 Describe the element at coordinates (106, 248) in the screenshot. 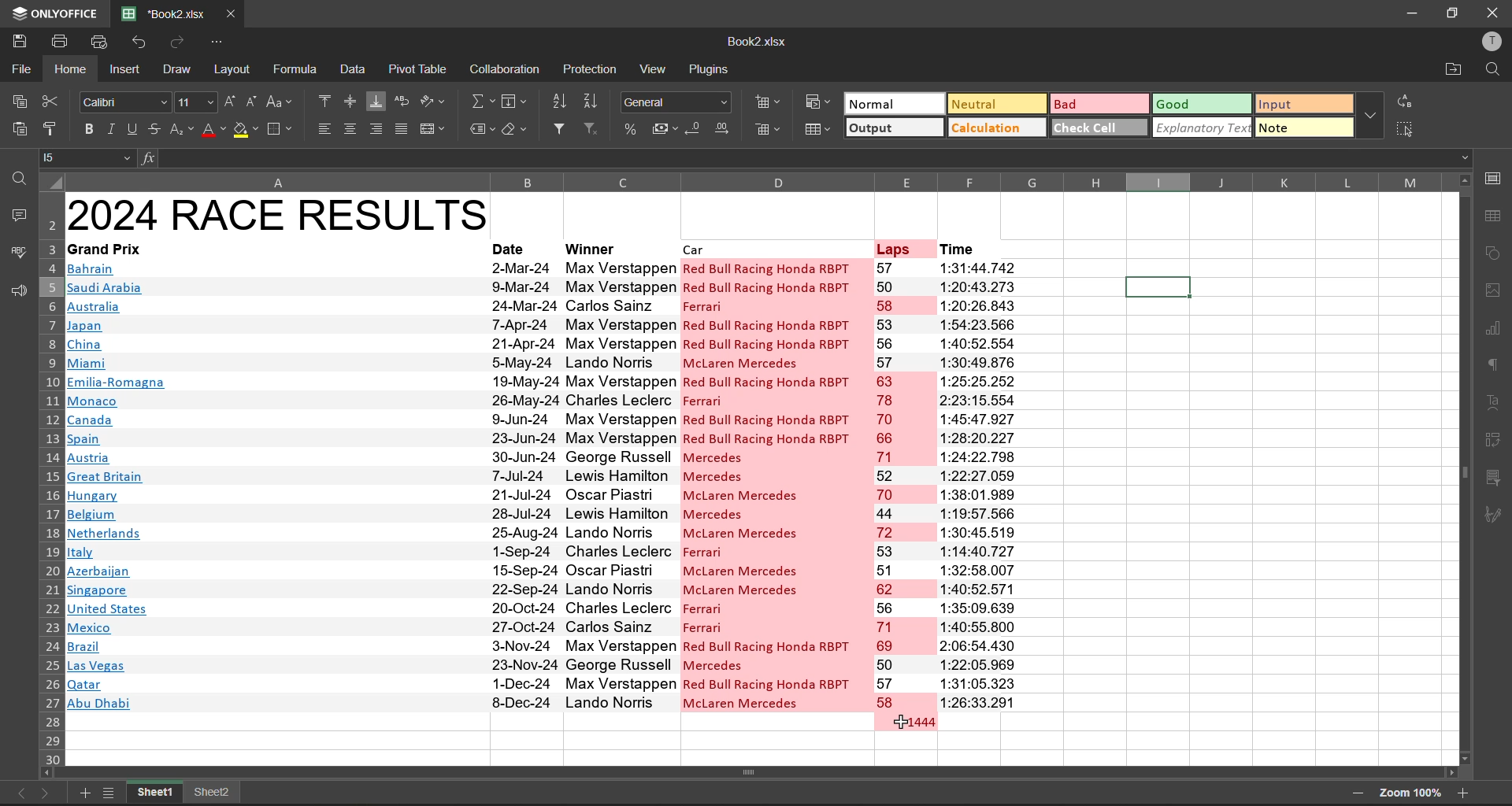

I see `grand prix` at that location.